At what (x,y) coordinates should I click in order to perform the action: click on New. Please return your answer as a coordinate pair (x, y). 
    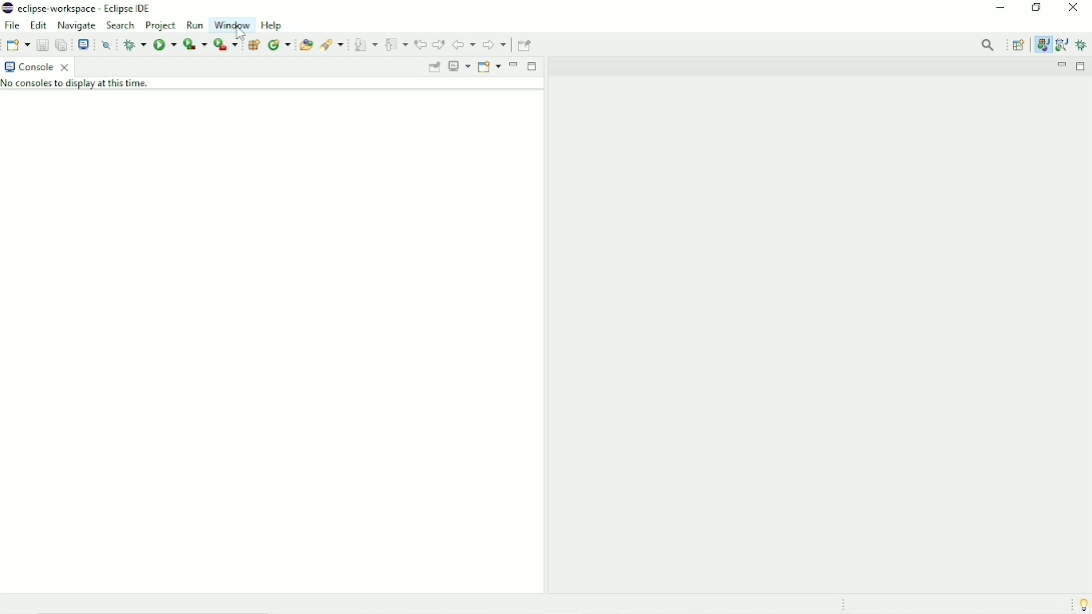
    Looking at the image, I should click on (18, 44).